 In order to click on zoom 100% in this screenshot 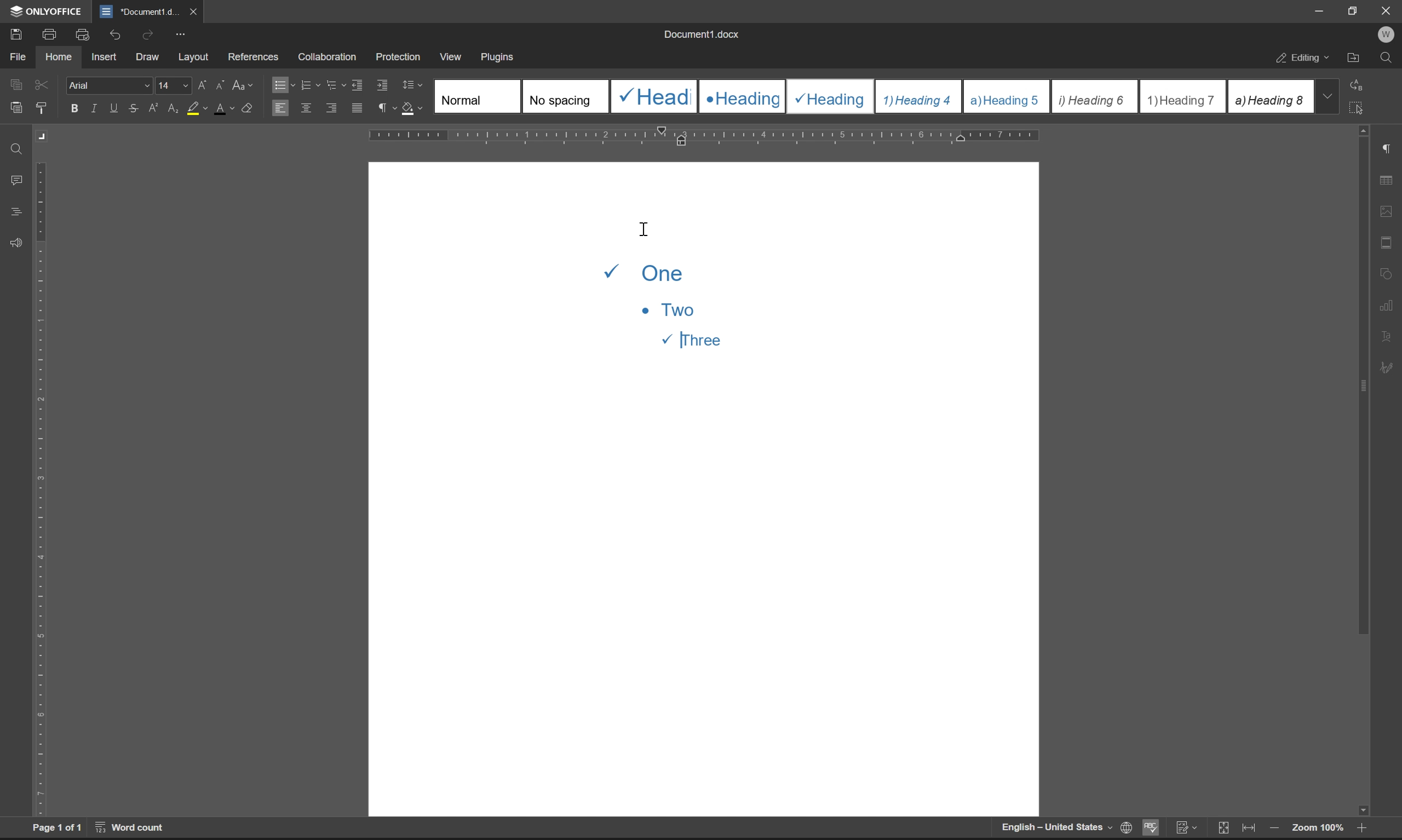, I will do `click(1317, 830)`.